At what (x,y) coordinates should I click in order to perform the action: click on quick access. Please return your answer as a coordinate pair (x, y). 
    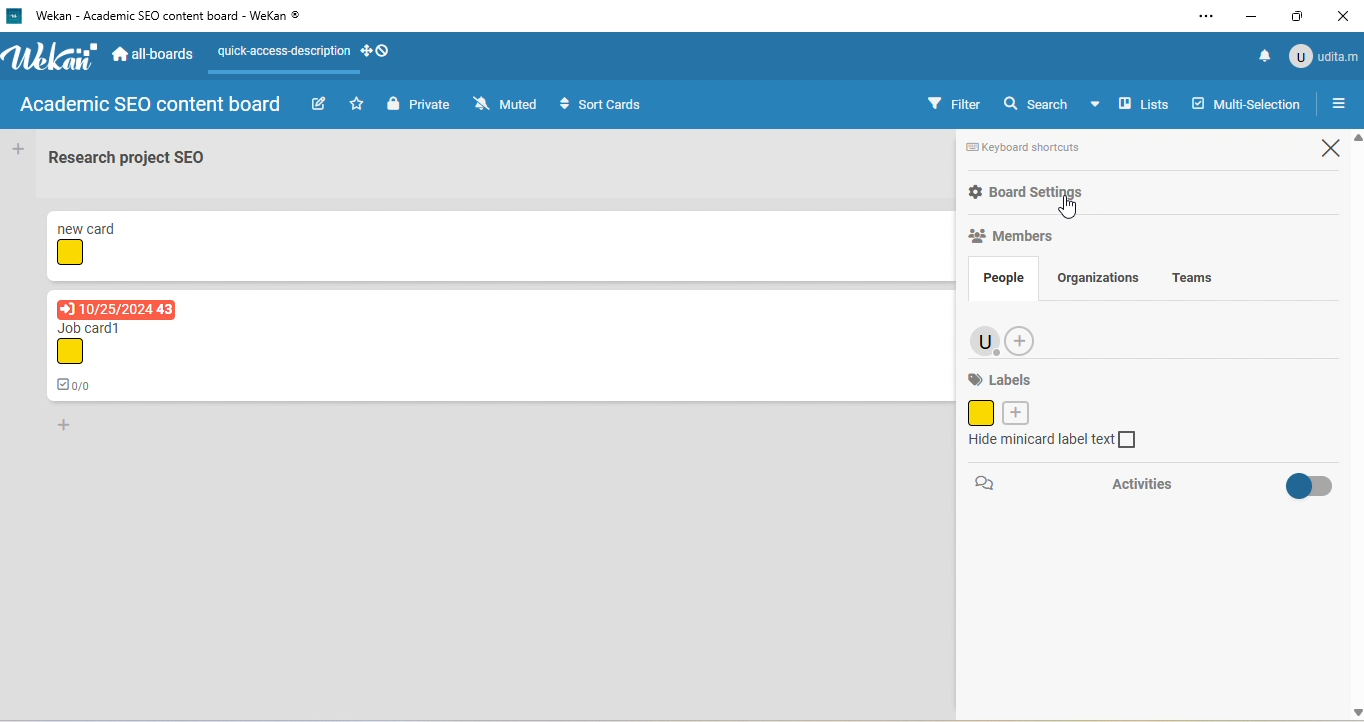
    Looking at the image, I should click on (308, 51).